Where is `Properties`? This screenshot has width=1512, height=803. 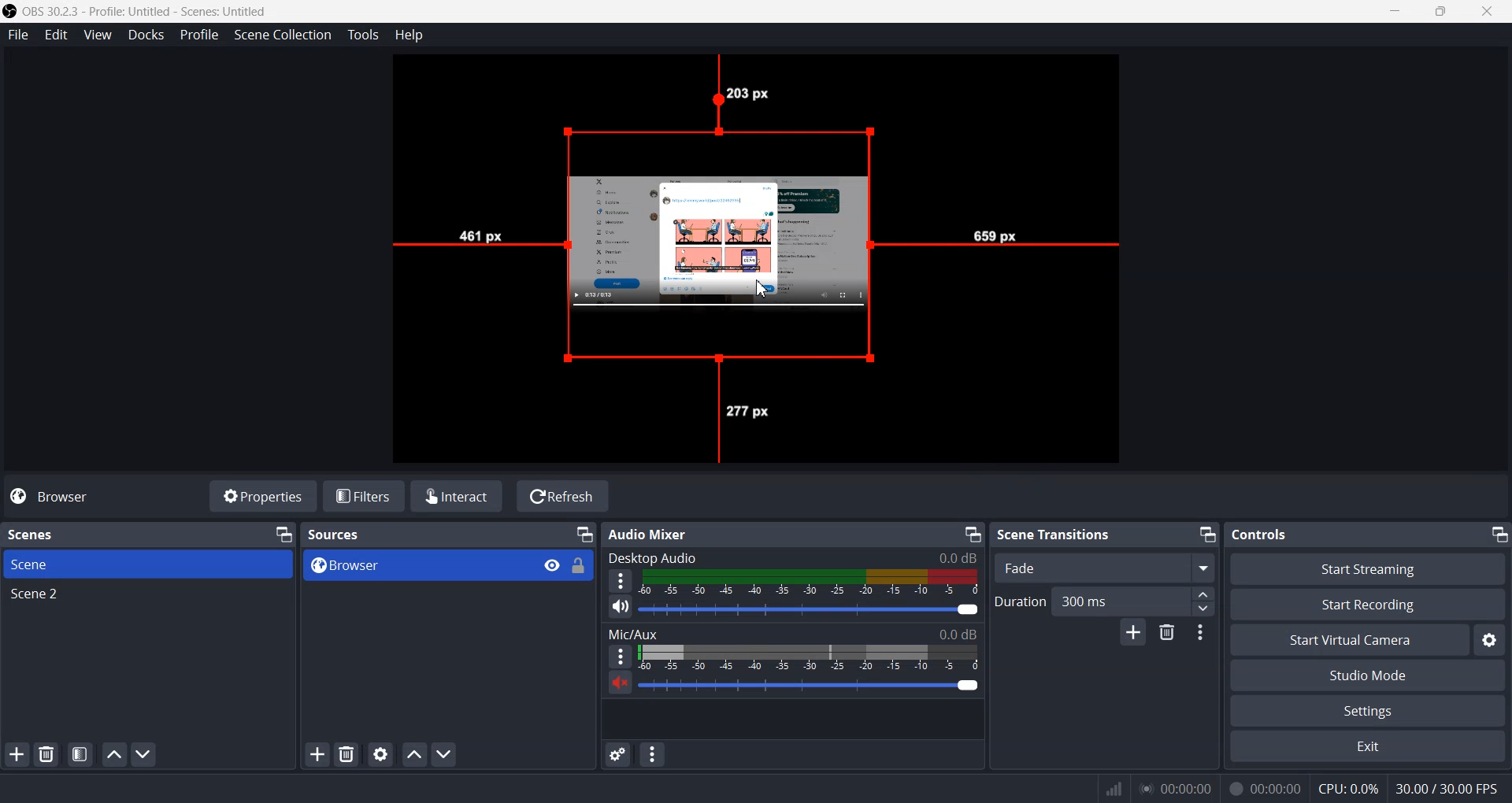
Properties is located at coordinates (263, 497).